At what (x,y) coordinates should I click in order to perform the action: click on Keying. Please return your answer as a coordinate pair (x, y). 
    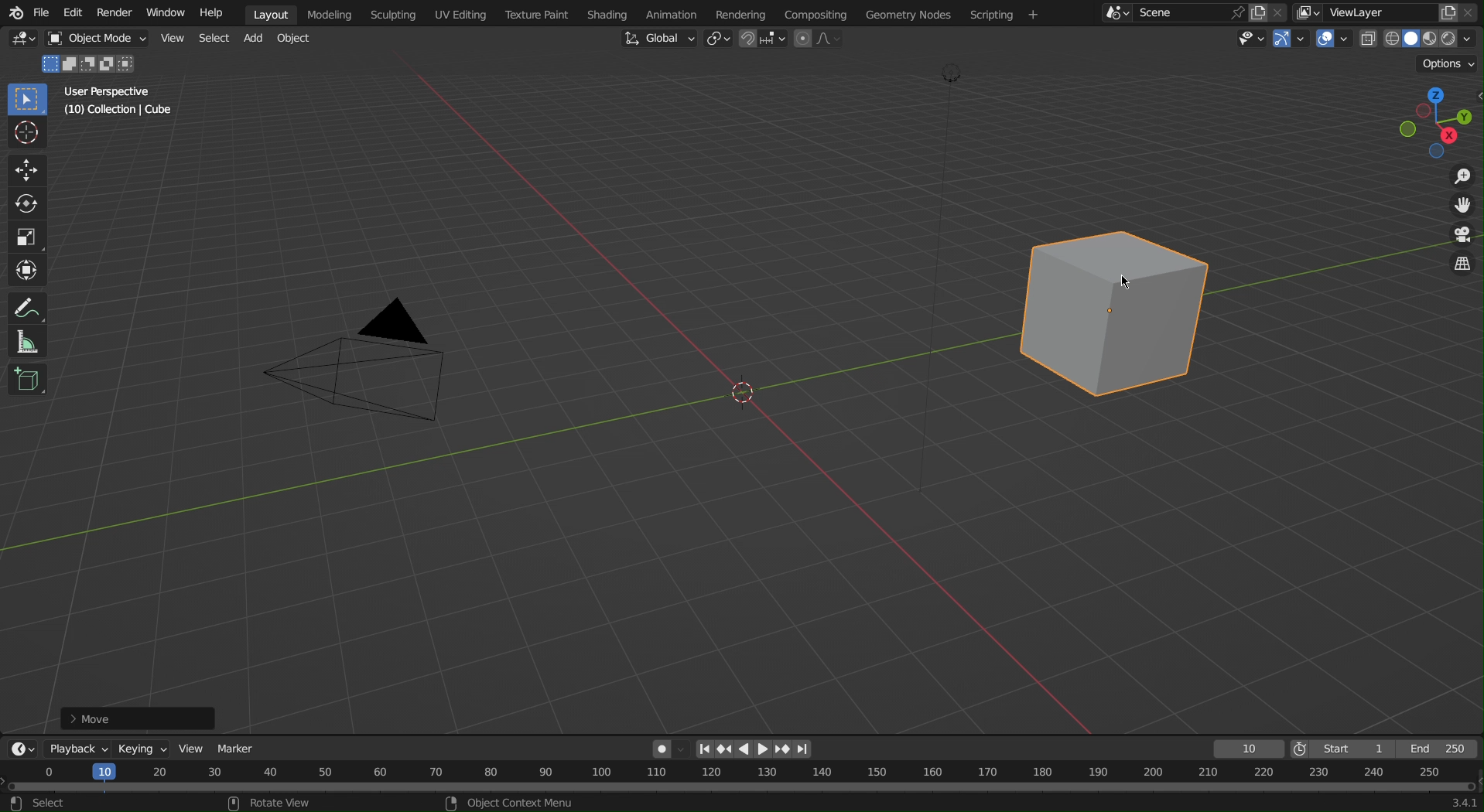
    Looking at the image, I should click on (139, 746).